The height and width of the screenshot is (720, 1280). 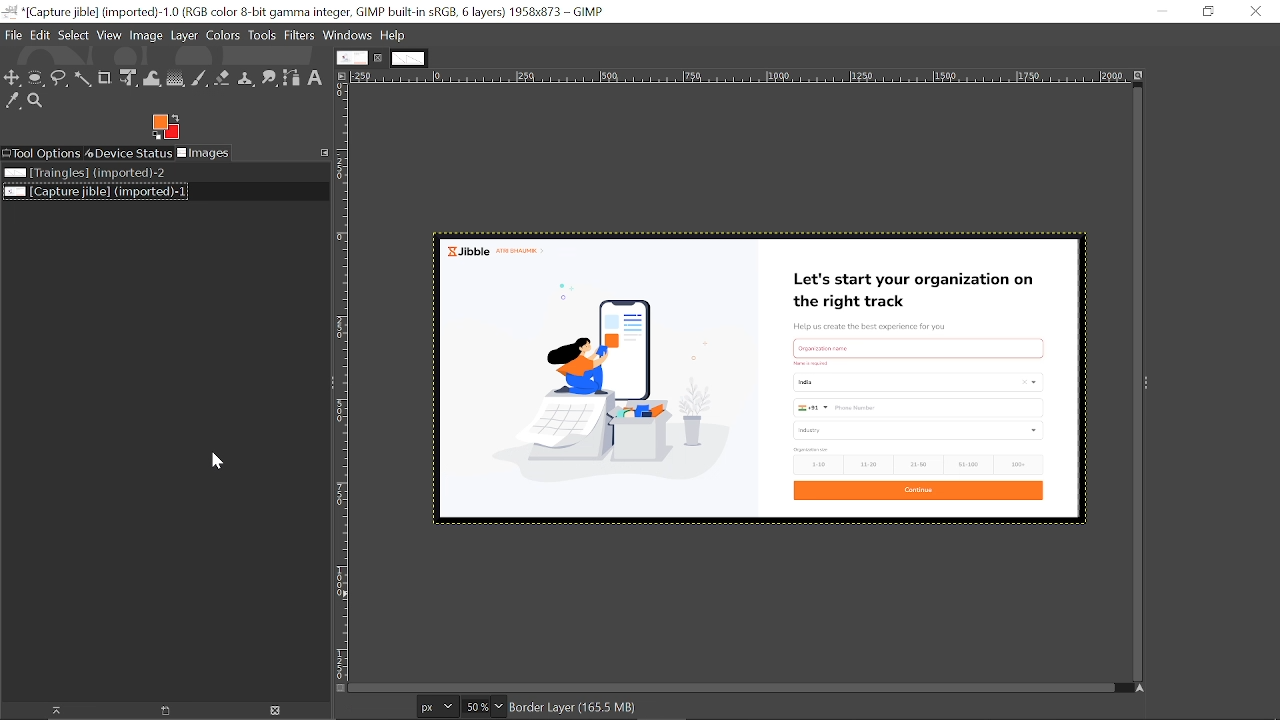 I want to click on Vertical label, so click(x=345, y=381).